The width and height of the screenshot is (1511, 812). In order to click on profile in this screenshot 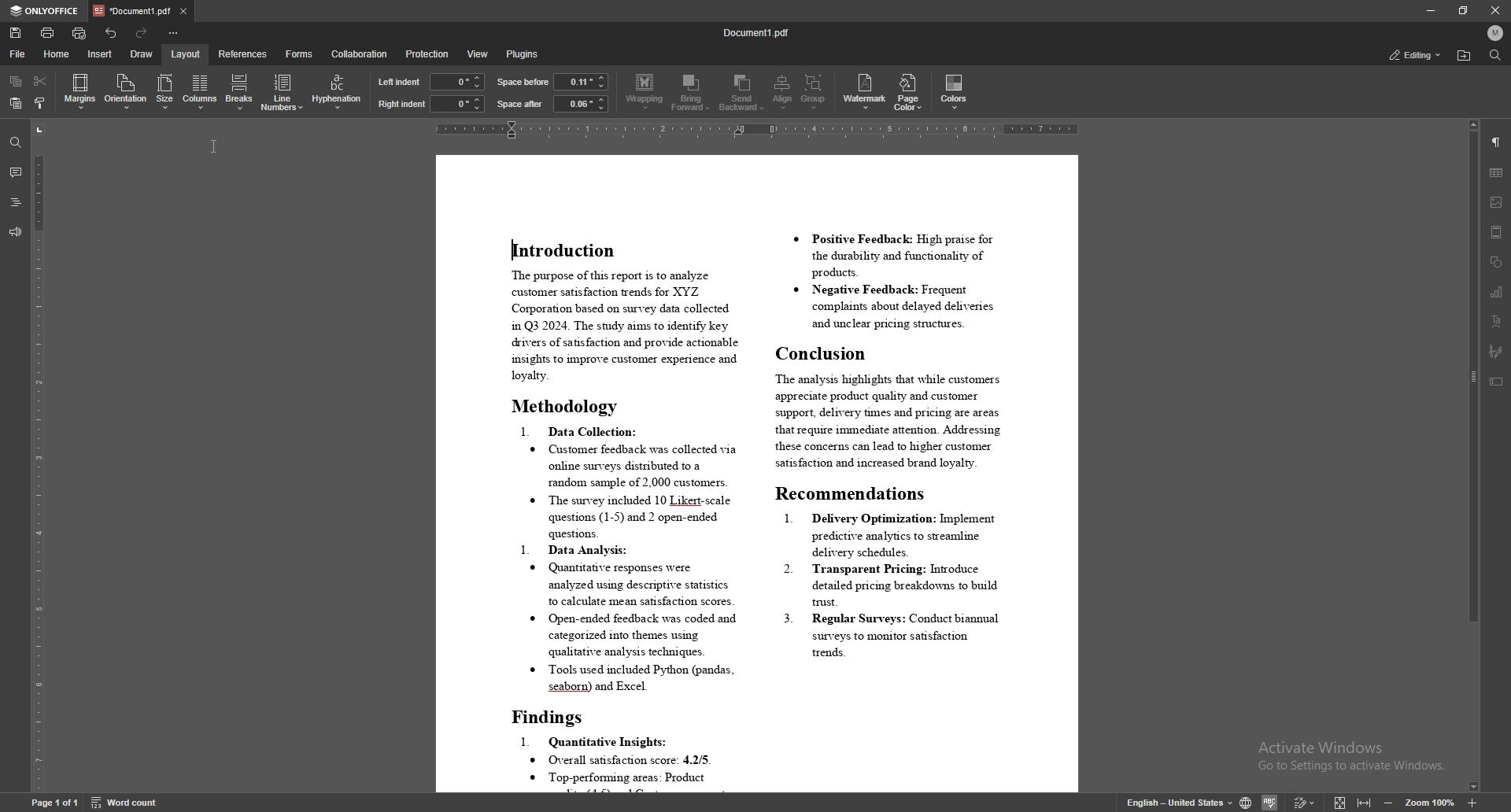, I will do `click(1496, 32)`.